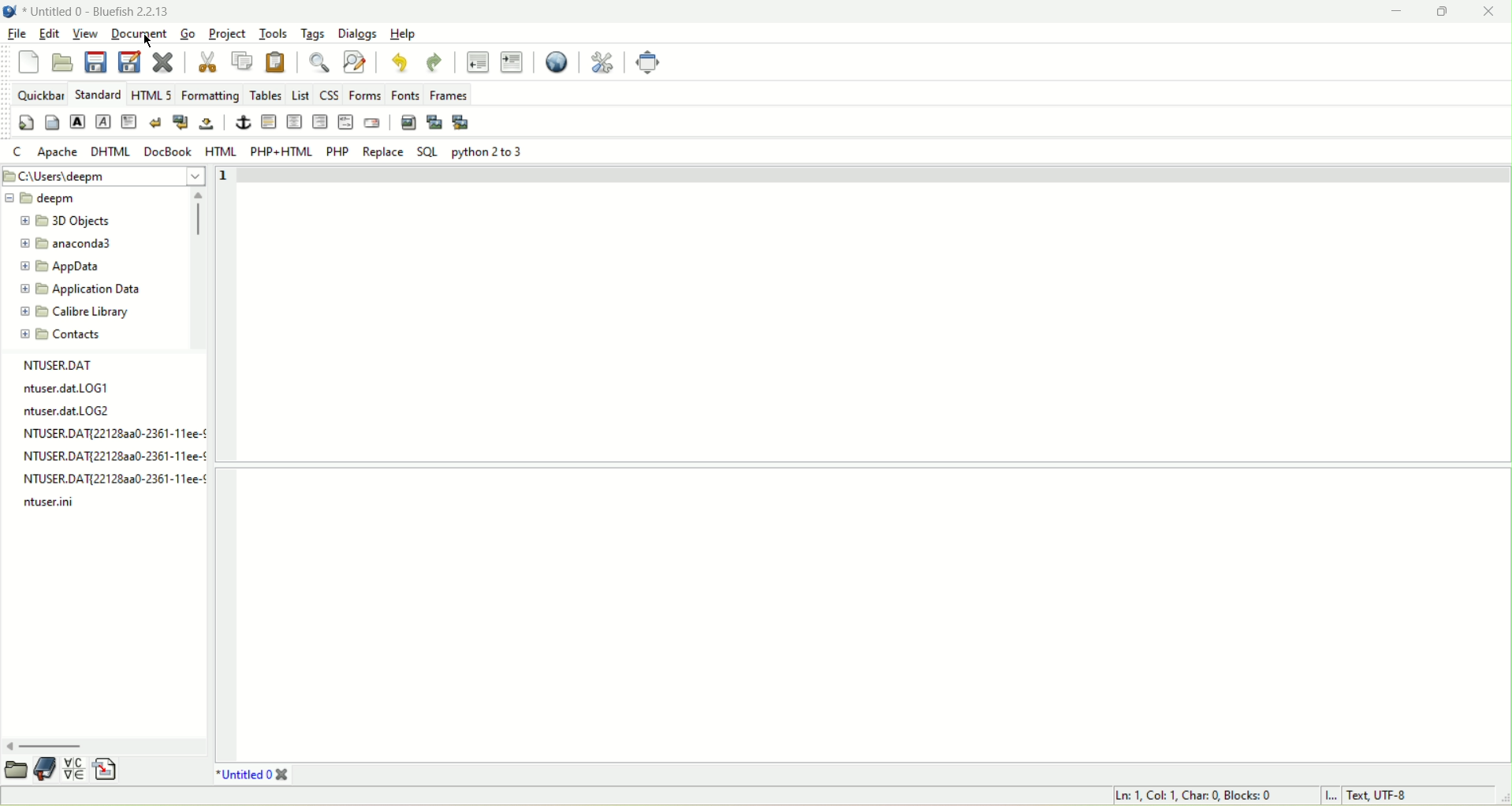  What do you see at coordinates (404, 33) in the screenshot?
I see `help` at bounding box center [404, 33].